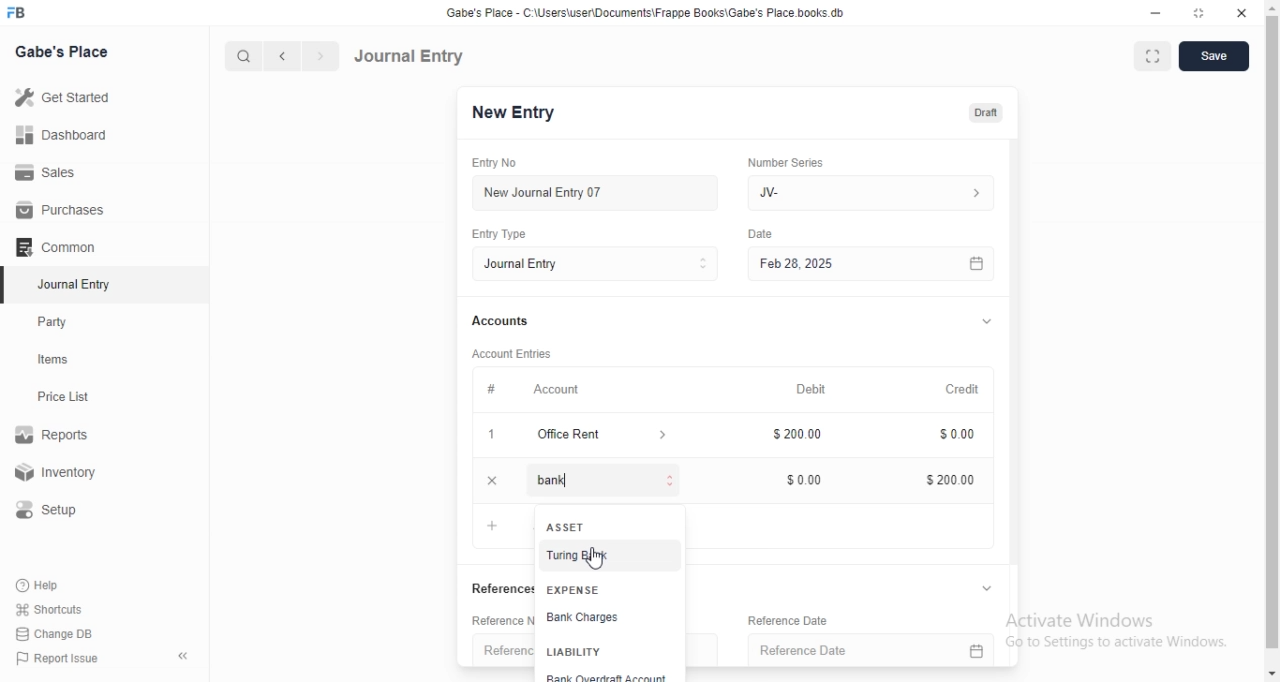  Describe the element at coordinates (59, 474) in the screenshot. I see `Inventory` at that location.